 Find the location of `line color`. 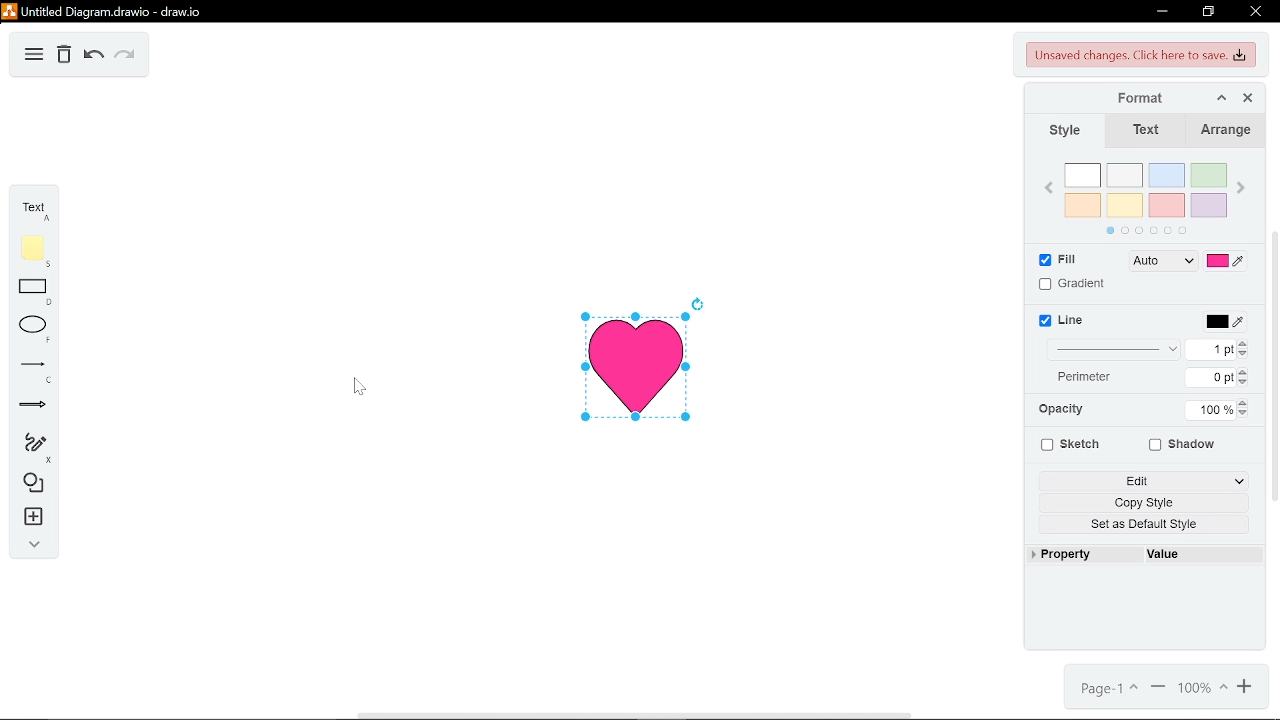

line color is located at coordinates (1223, 321).